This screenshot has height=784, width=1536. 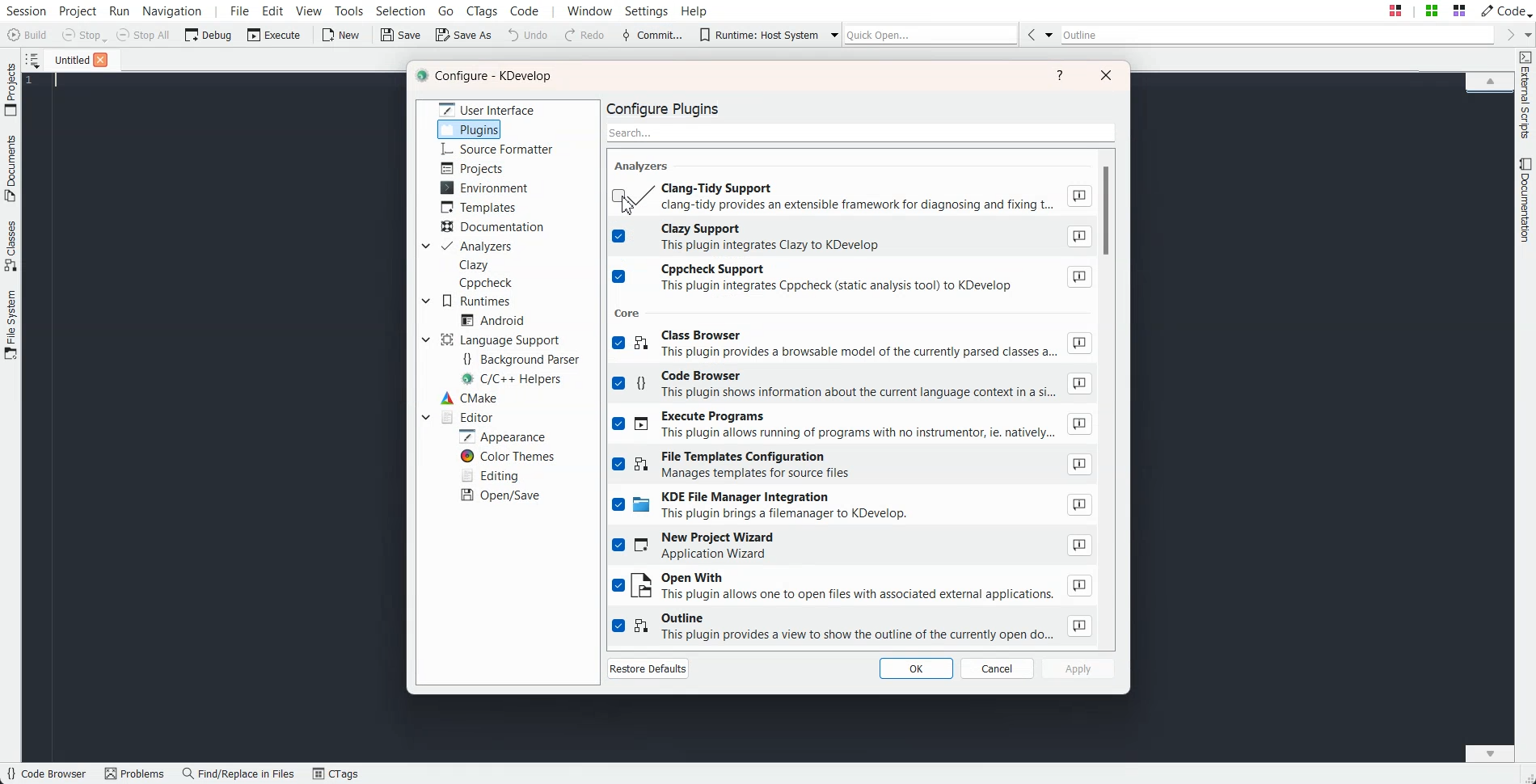 I want to click on Code Browser, so click(x=46, y=774).